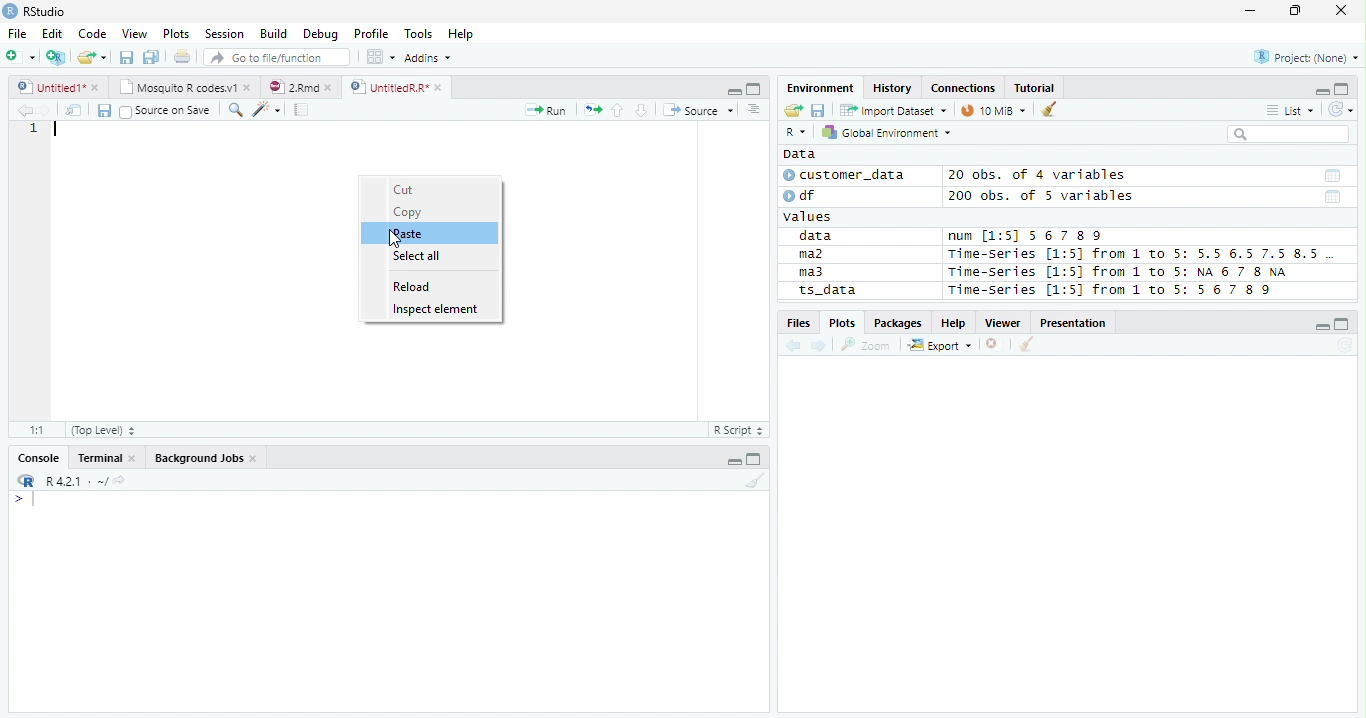 This screenshot has height=718, width=1366. Describe the element at coordinates (1006, 323) in the screenshot. I see `Viewer` at that location.